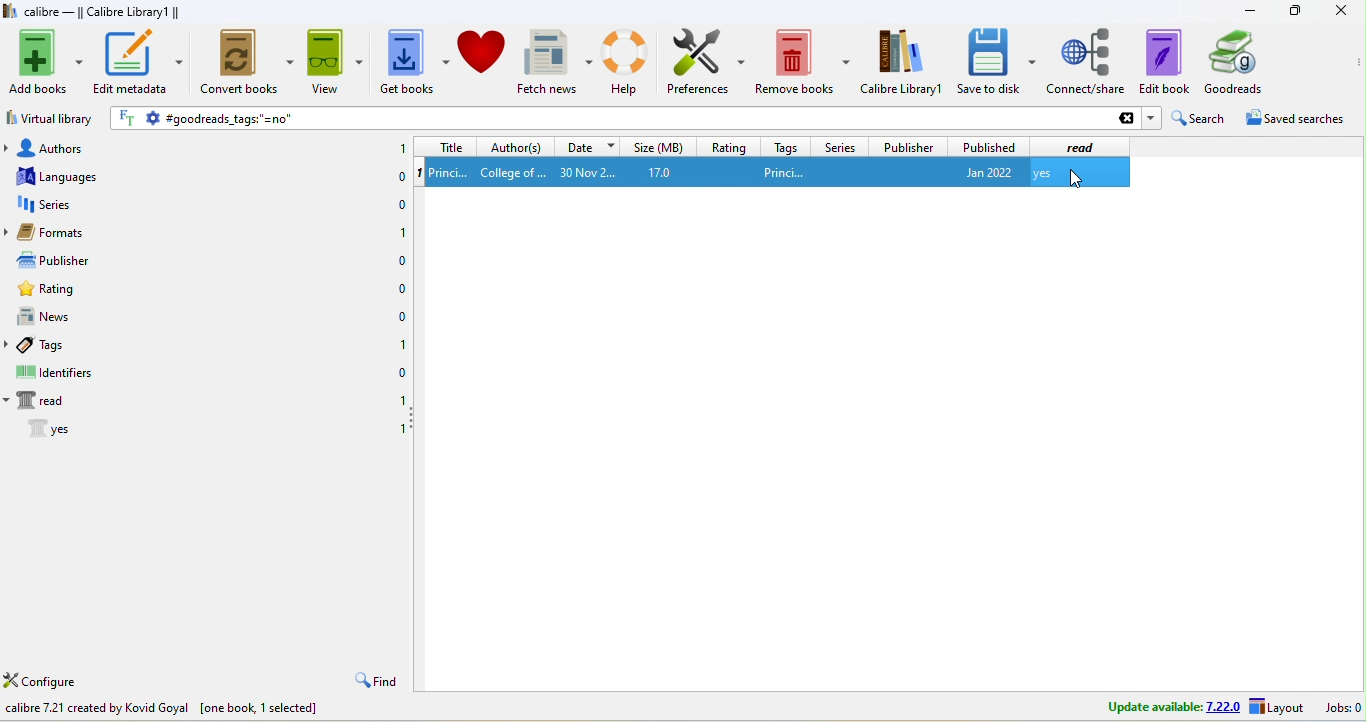 The image size is (1366, 722). What do you see at coordinates (996, 62) in the screenshot?
I see `save to disk` at bounding box center [996, 62].